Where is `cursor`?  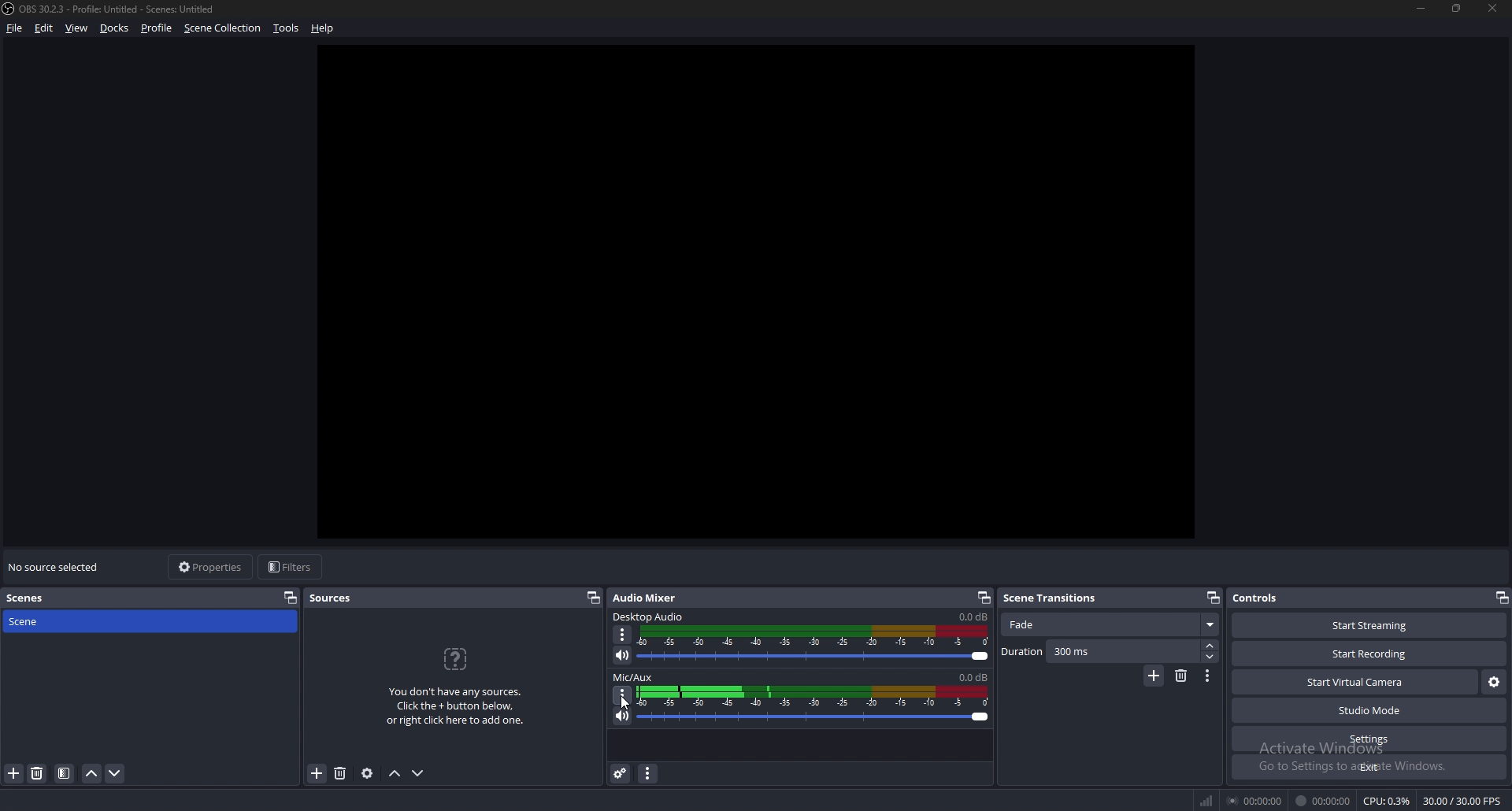
cursor is located at coordinates (625, 702).